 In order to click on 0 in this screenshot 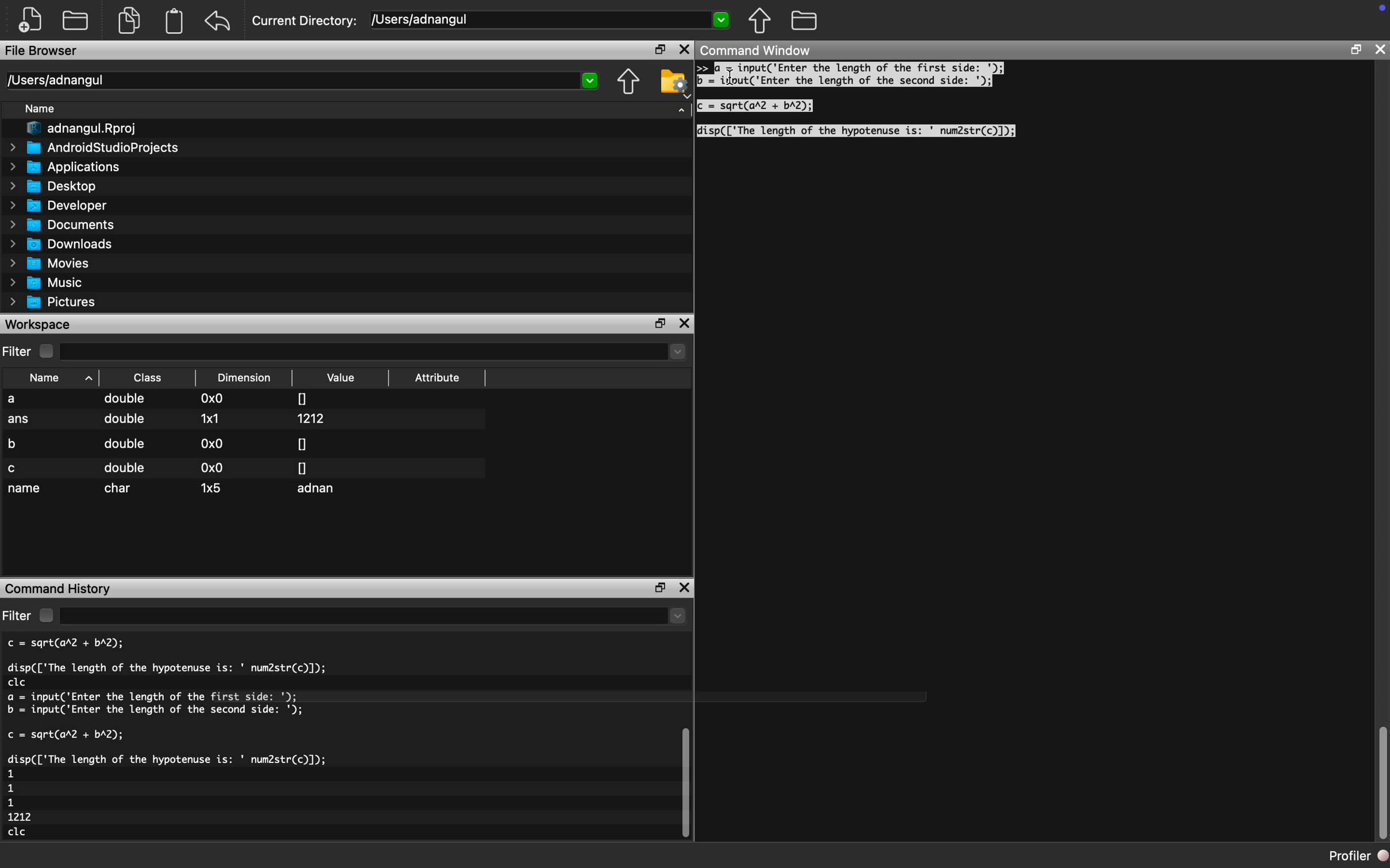, I will do `click(303, 397)`.